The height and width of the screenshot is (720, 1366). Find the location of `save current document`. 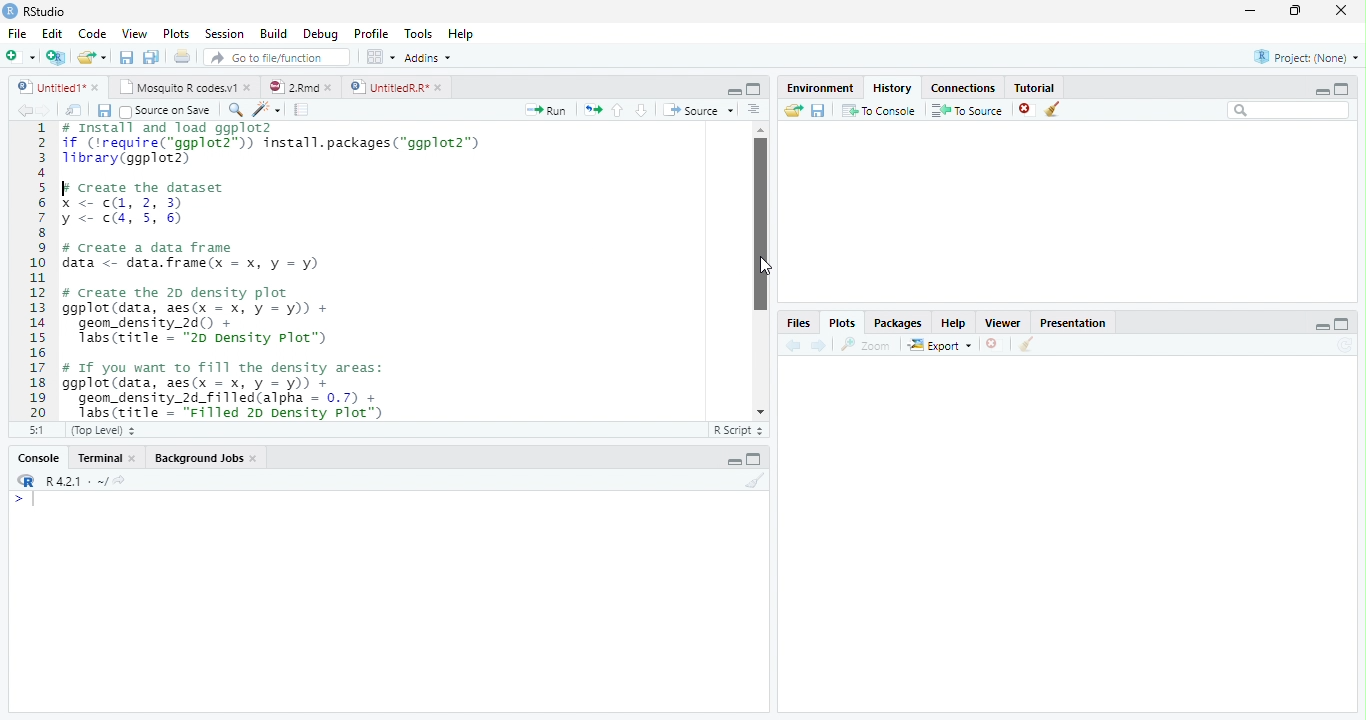

save current document is located at coordinates (125, 57).